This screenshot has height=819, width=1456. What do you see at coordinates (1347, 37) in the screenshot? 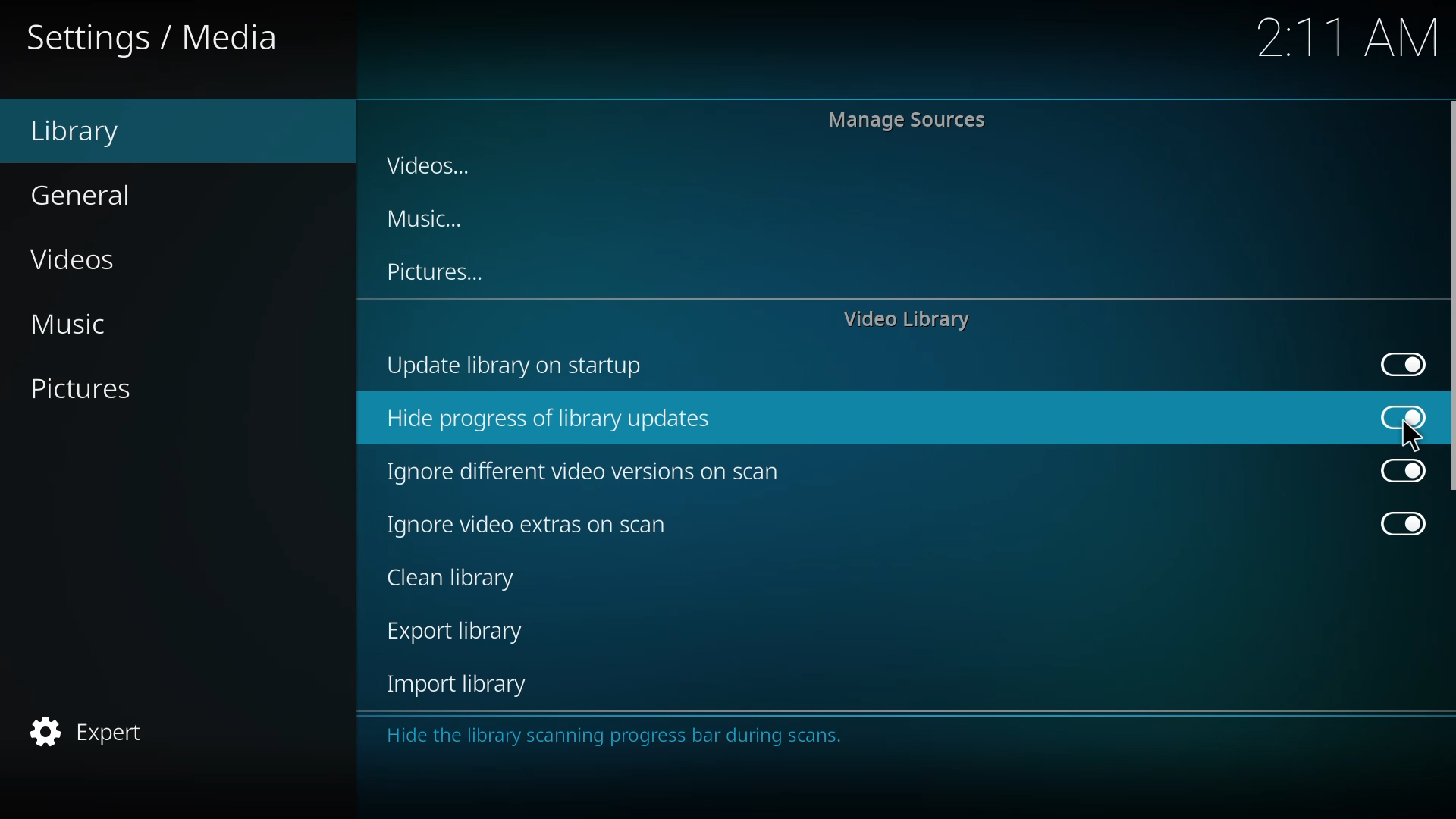
I see `time` at bounding box center [1347, 37].